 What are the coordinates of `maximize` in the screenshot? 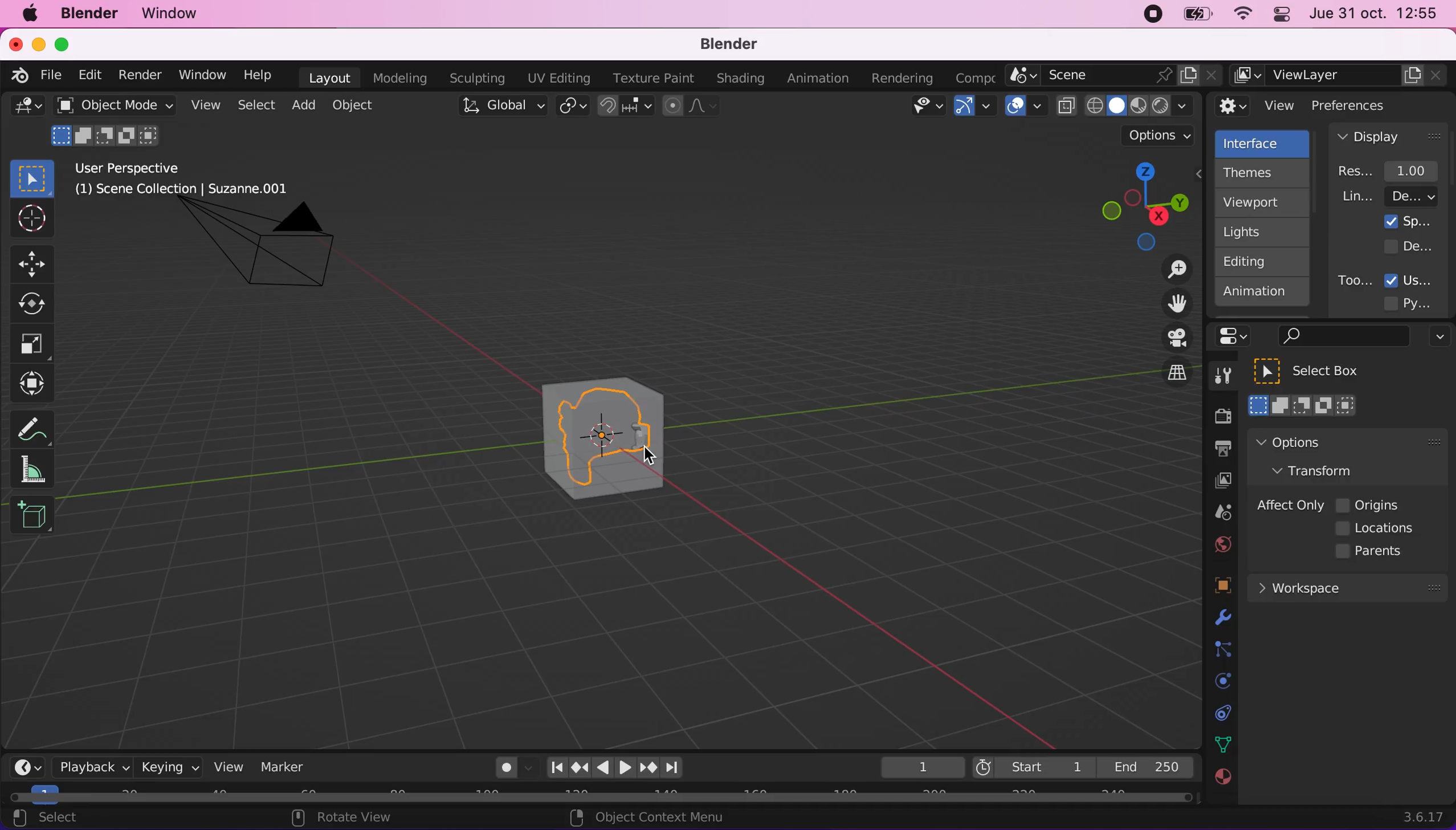 It's located at (68, 44).